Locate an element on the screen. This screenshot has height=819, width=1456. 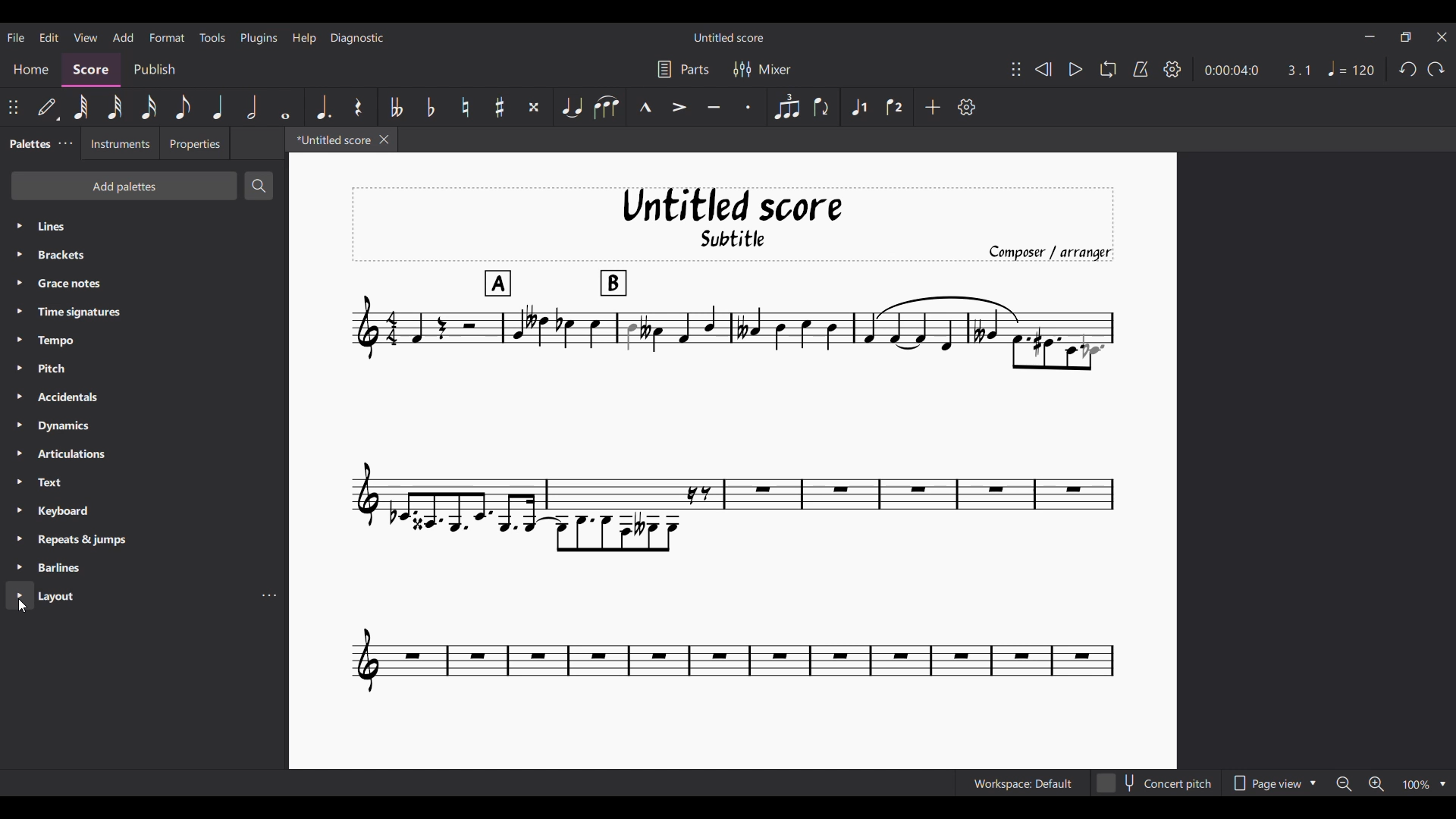
Rest is located at coordinates (359, 107).